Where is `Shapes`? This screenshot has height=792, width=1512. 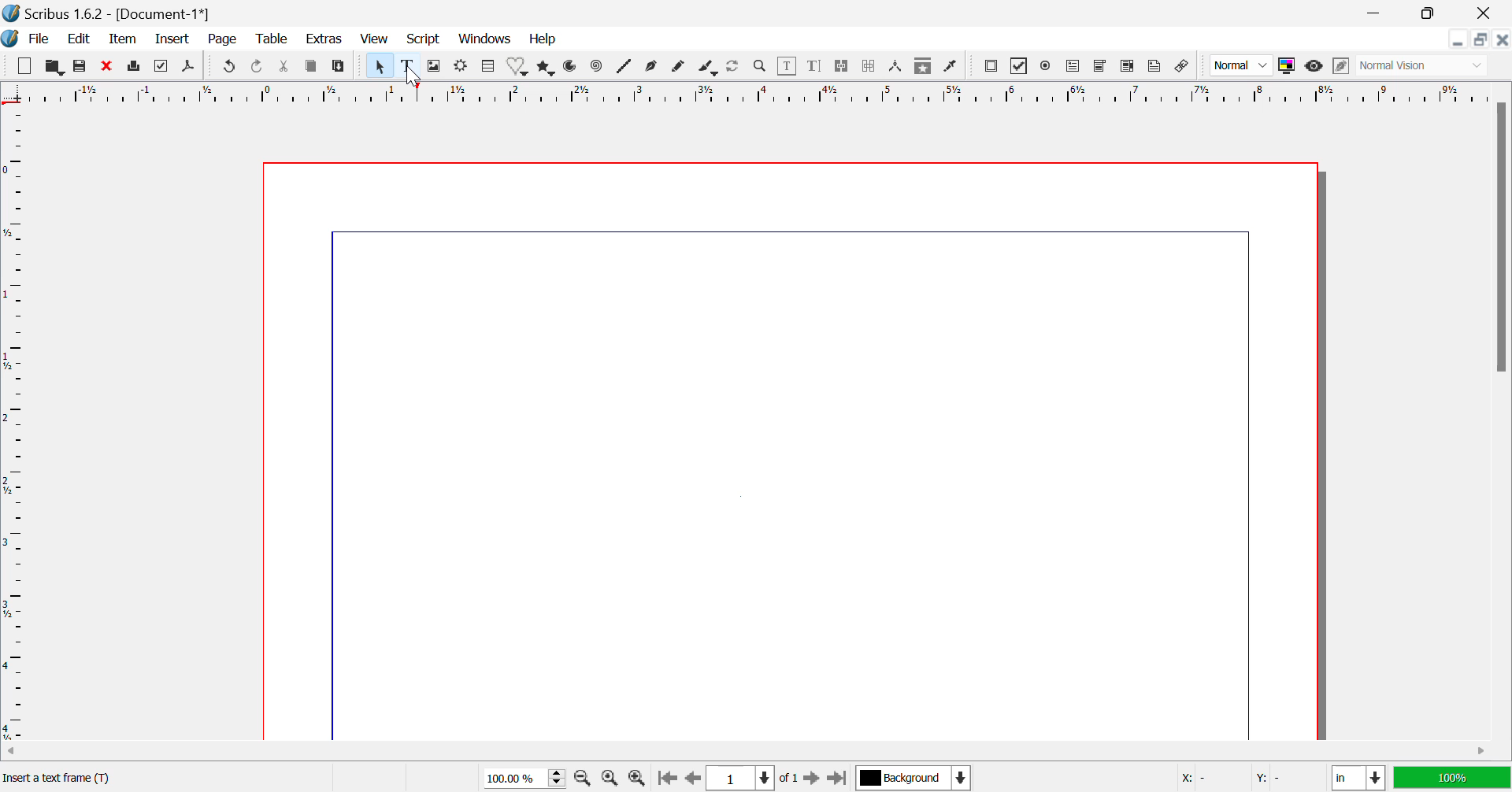
Shapes is located at coordinates (520, 68).